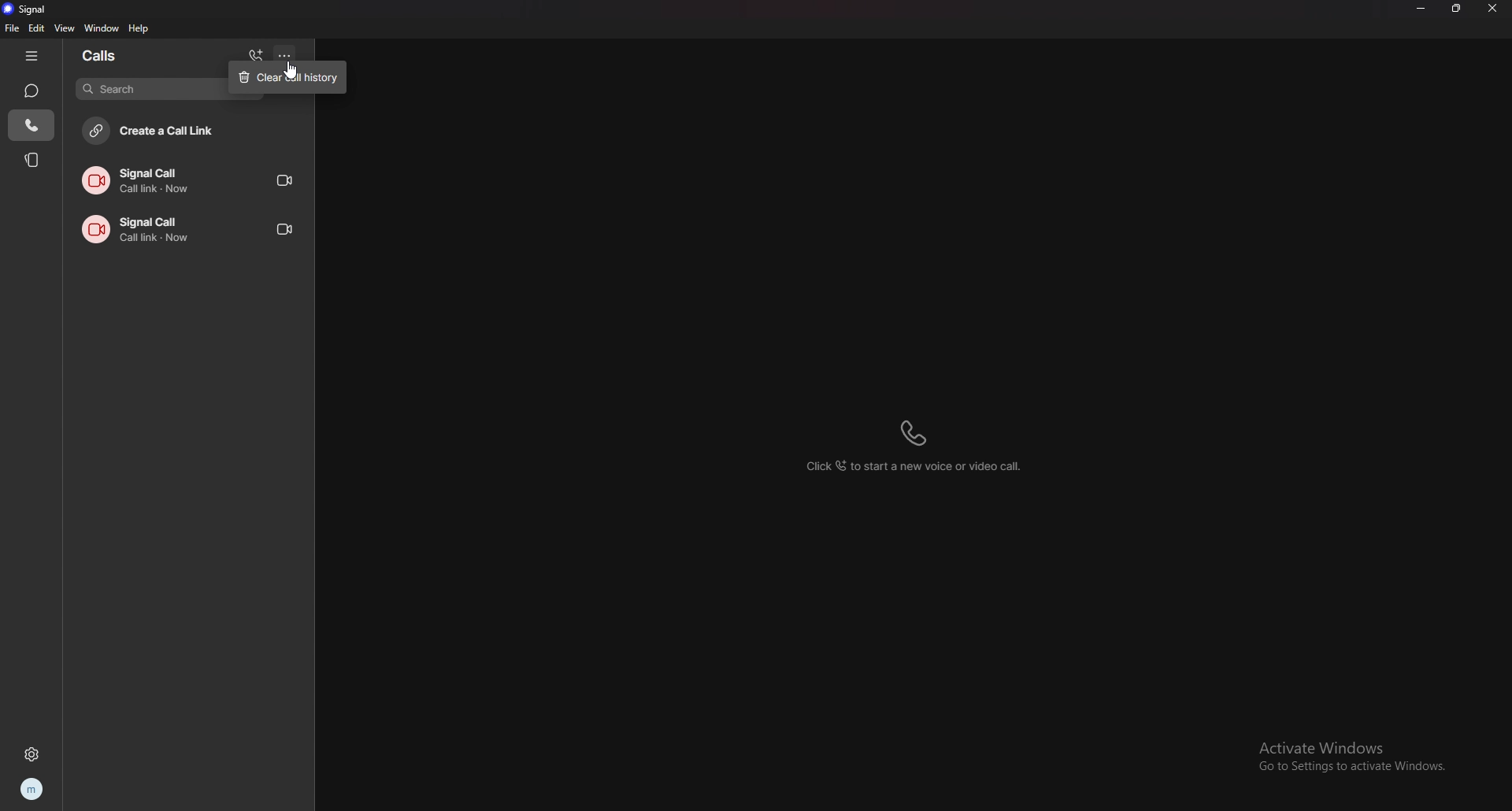  Describe the element at coordinates (290, 52) in the screenshot. I see `options` at that location.